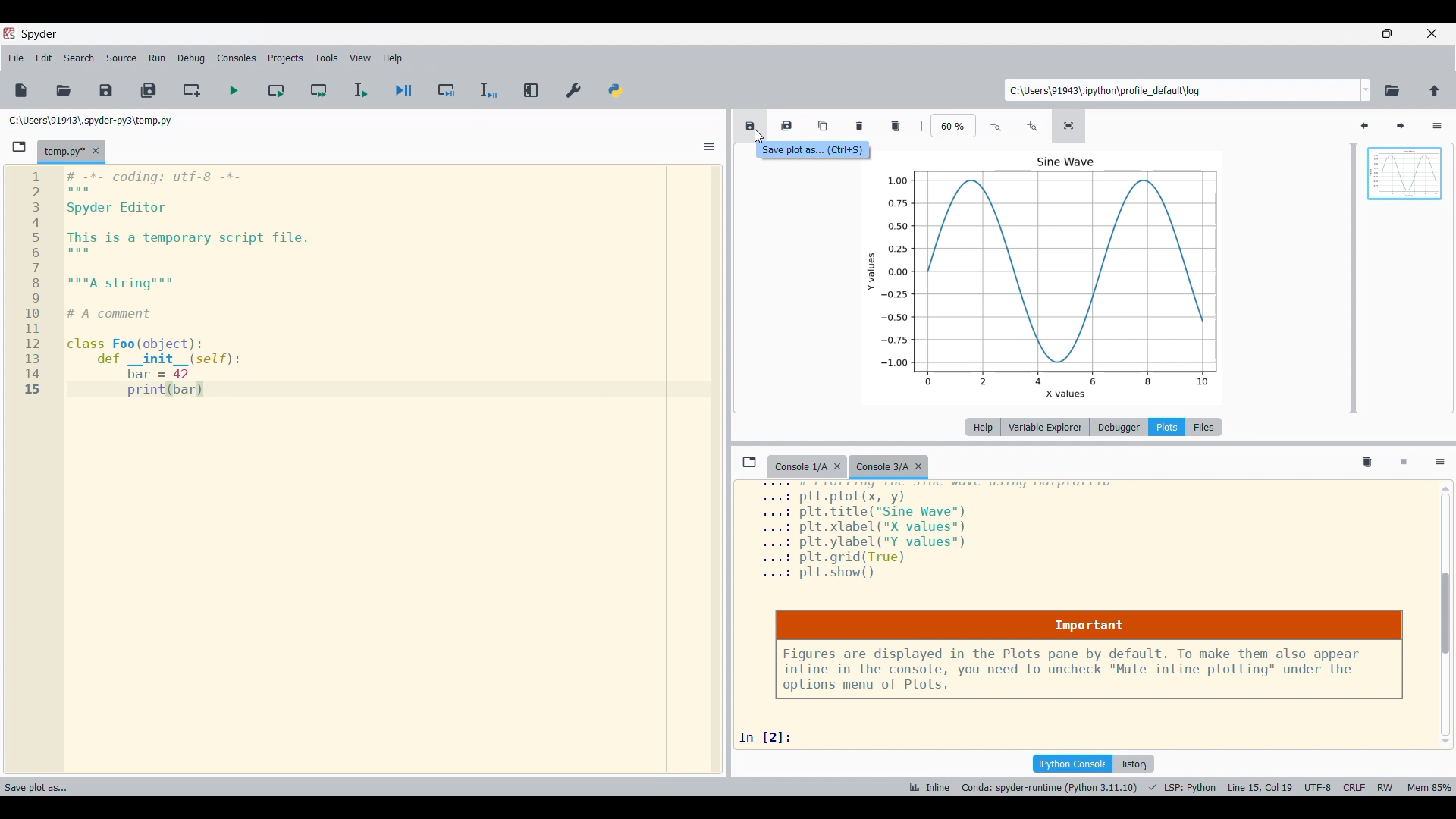  What do you see at coordinates (9, 33) in the screenshot?
I see `Software logo` at bounding box center [9, 33].